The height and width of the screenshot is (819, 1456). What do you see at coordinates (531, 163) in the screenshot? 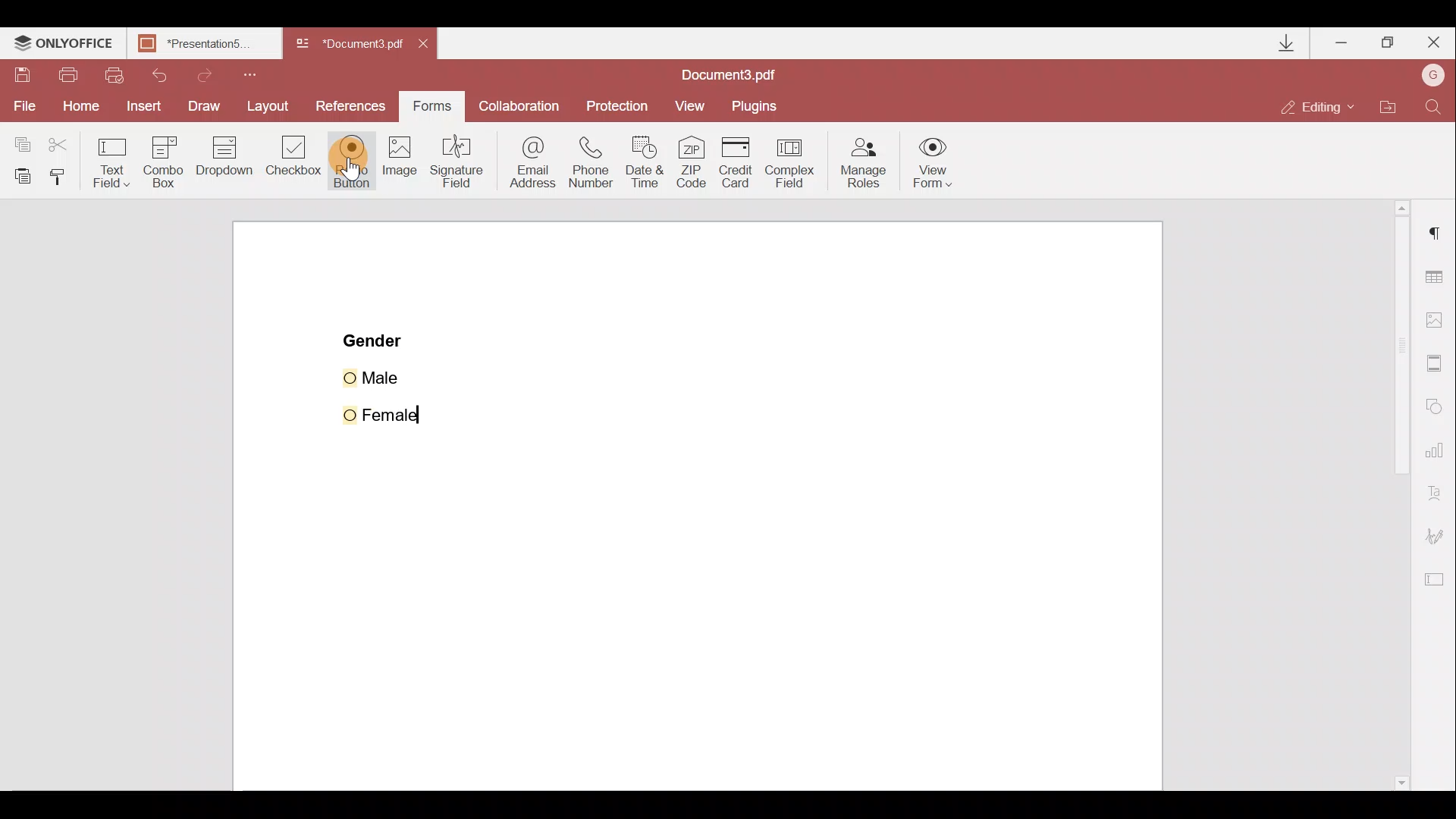
I see `Email address` at bounding box center [531, 163].